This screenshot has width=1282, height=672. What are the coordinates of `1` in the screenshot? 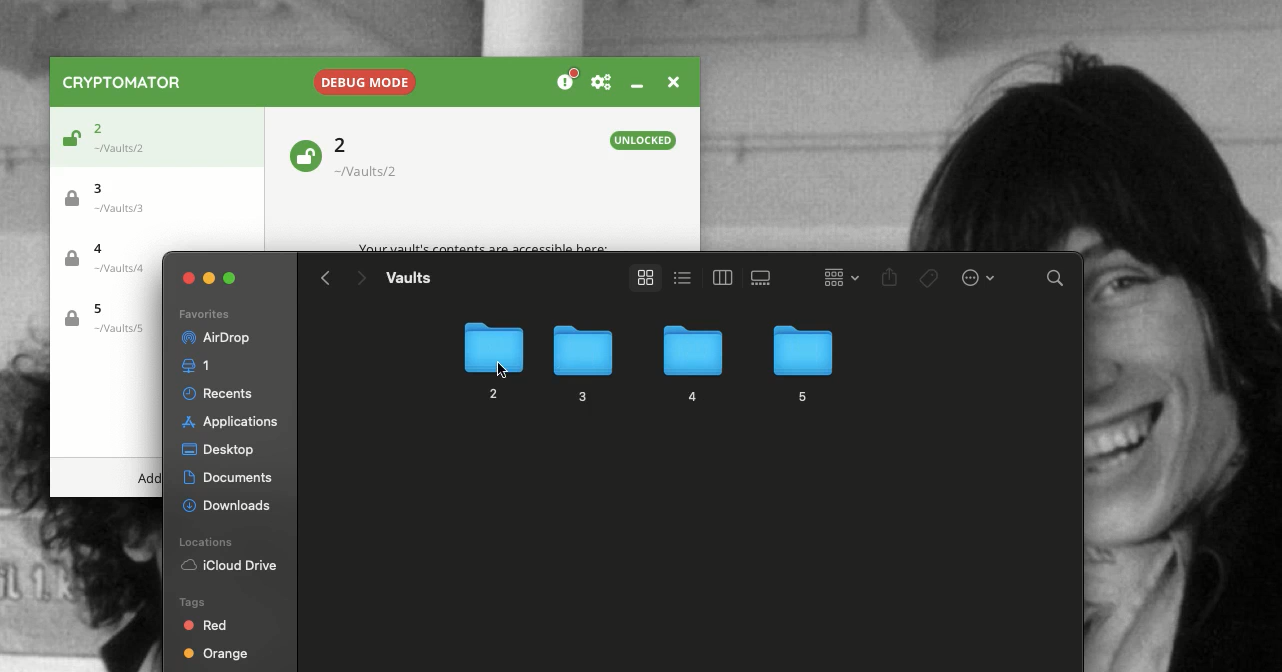 It's located at (200, 366).